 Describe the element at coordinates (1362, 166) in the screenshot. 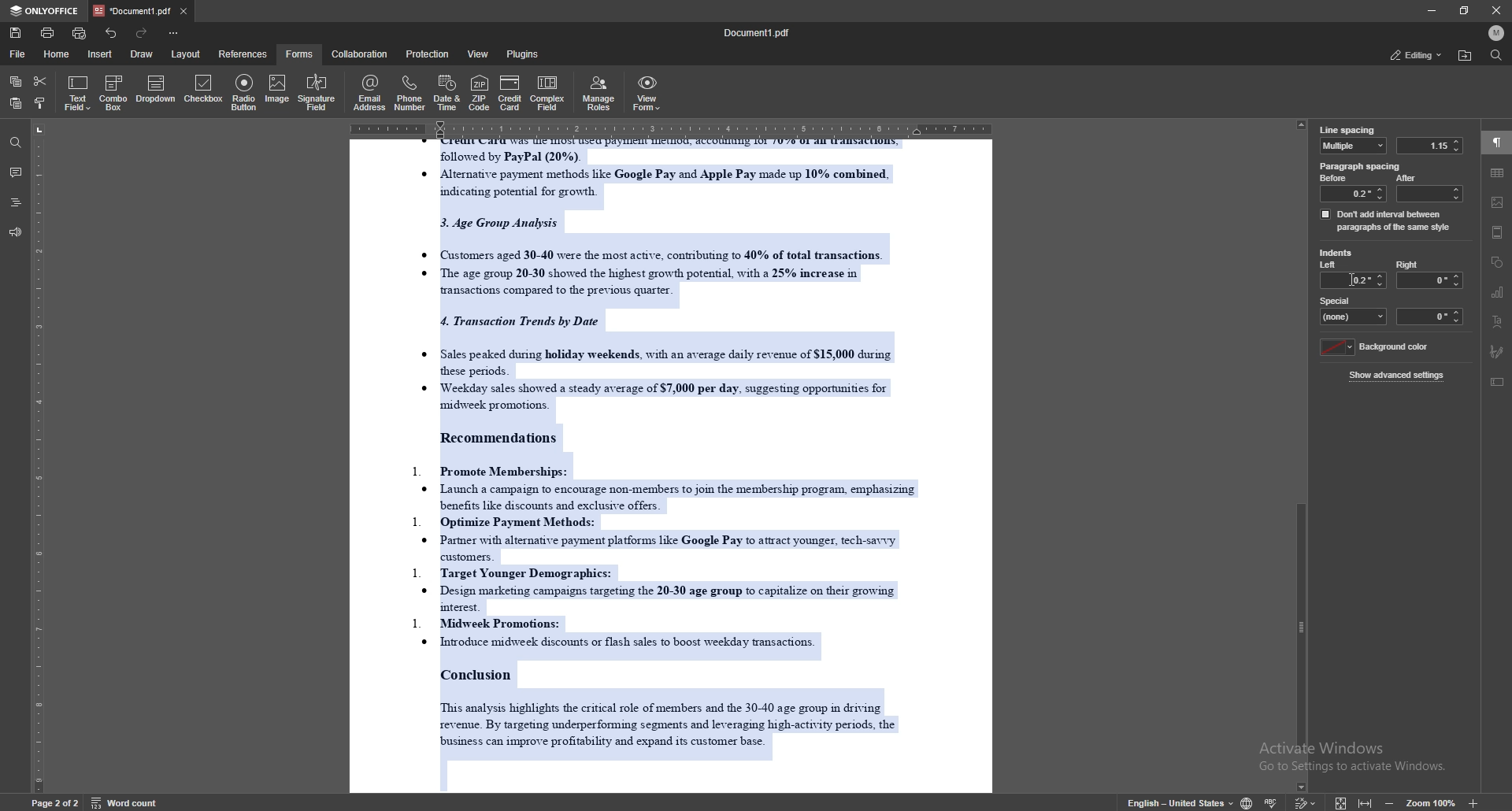

I see `paragraph spacing` at that location.